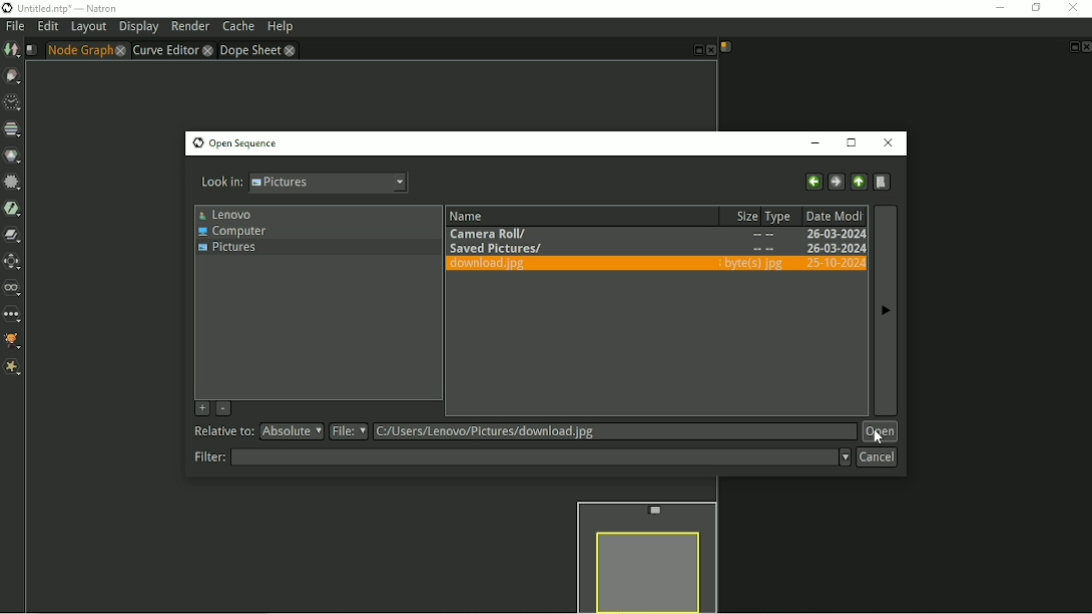  I want to click on 25-10-2024, so click(830, 264).